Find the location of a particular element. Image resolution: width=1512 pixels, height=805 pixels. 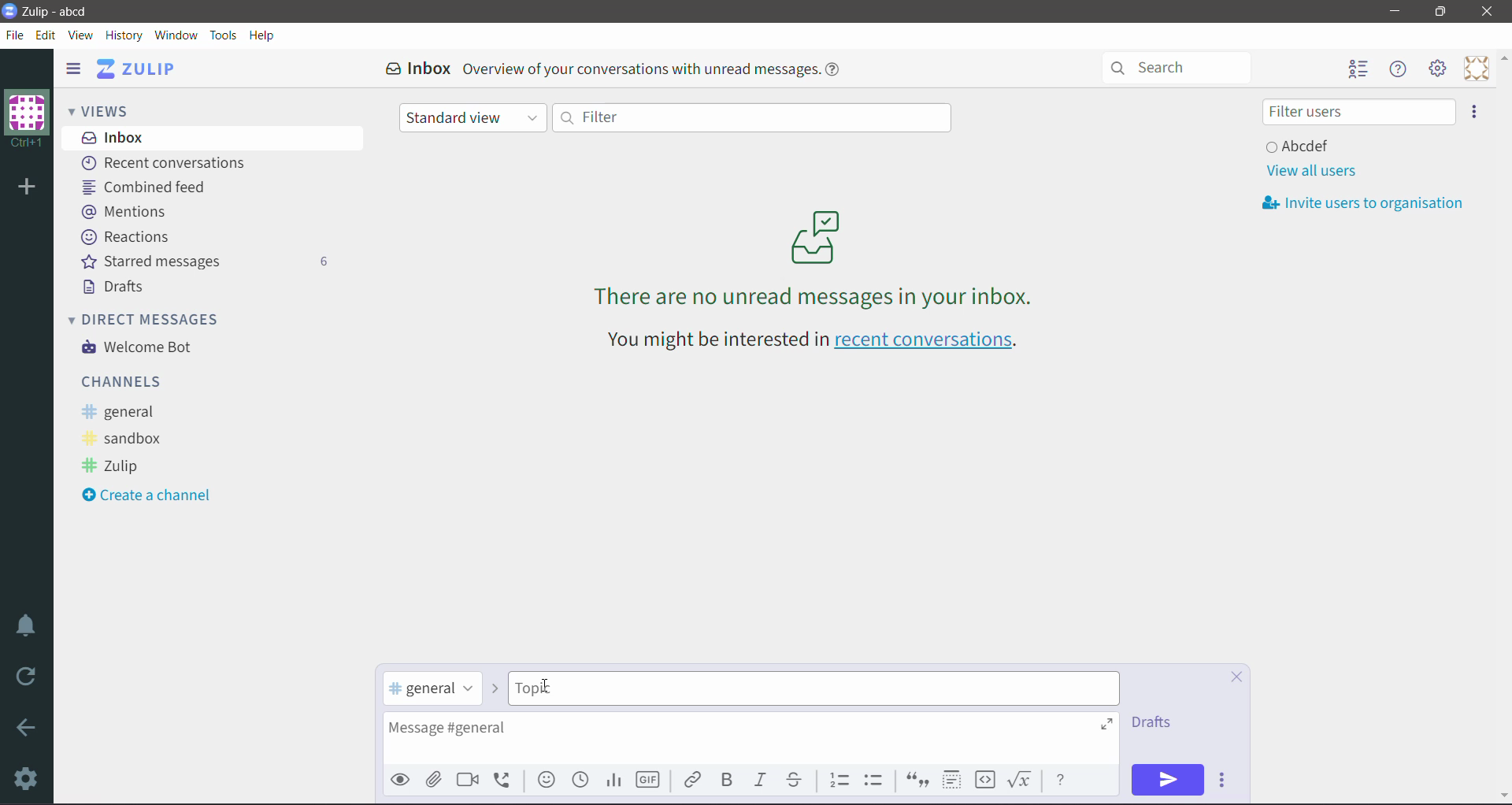

User and Status is located at coordinates (1301, 145).